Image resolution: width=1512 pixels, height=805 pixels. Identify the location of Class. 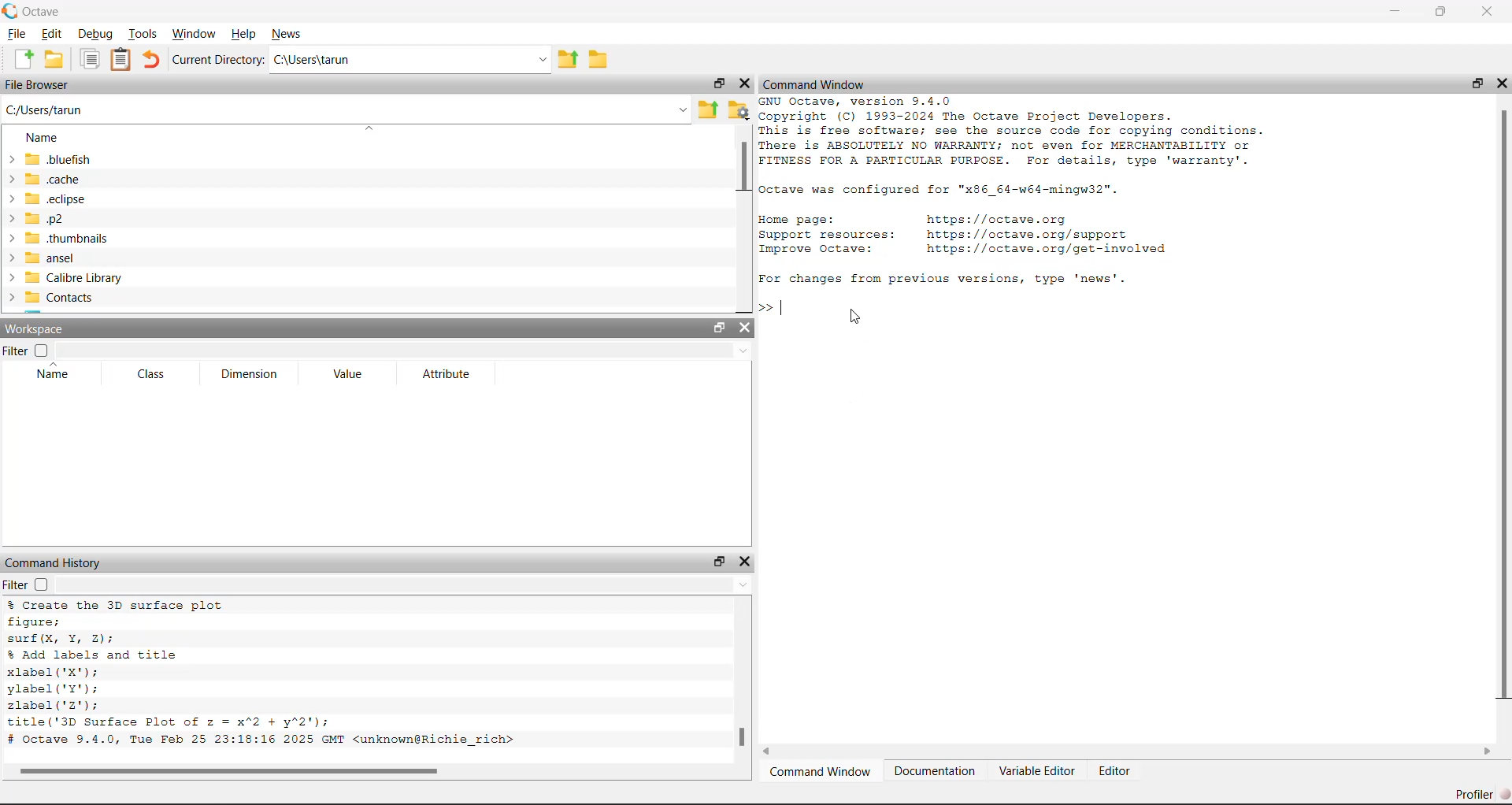
(152, 374).